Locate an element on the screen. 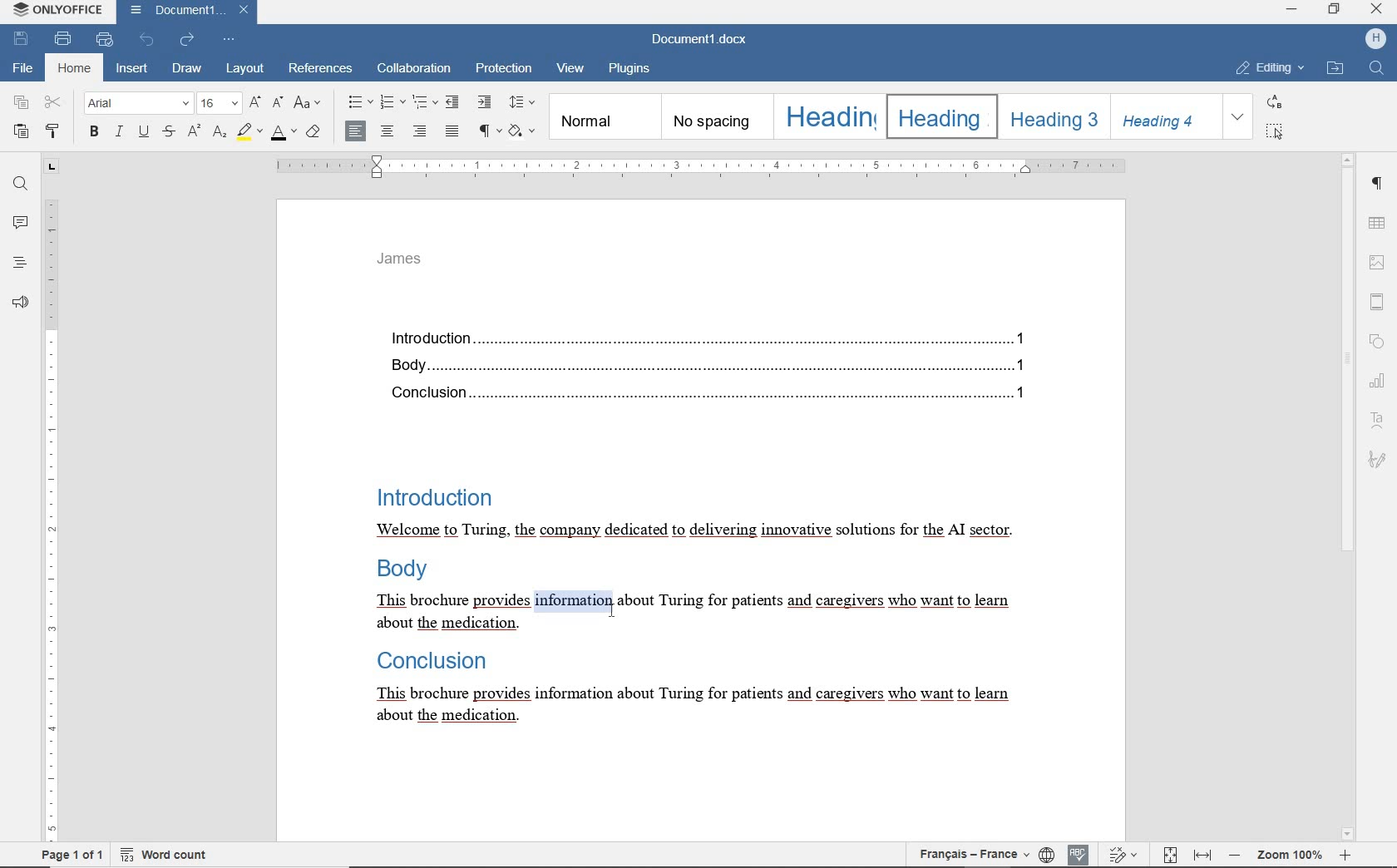  COMMENTS is located at coordinates (18, 223).